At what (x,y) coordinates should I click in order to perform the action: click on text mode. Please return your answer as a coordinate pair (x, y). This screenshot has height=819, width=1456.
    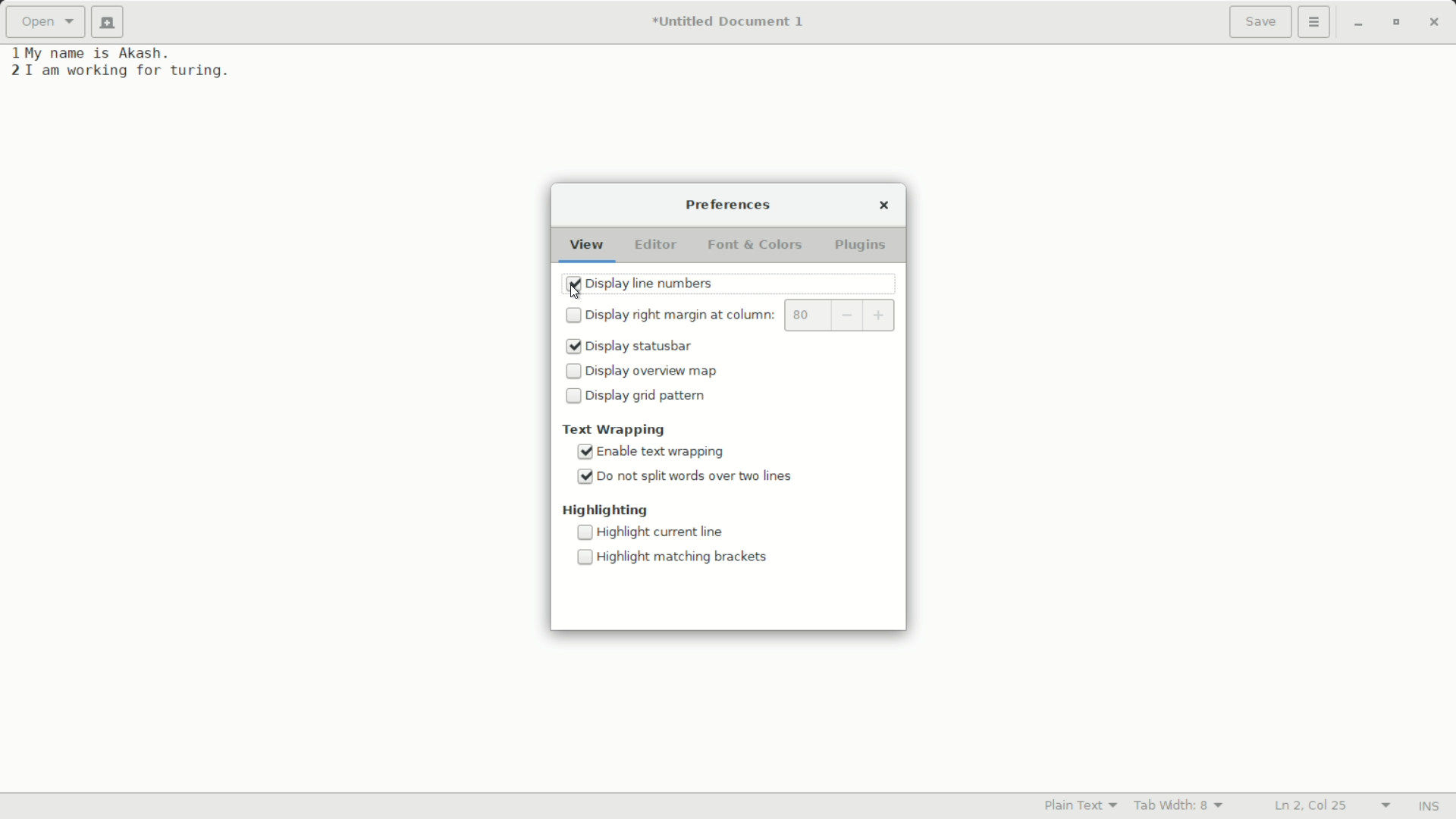
    Looking at the image, I should click on (1081, 805).